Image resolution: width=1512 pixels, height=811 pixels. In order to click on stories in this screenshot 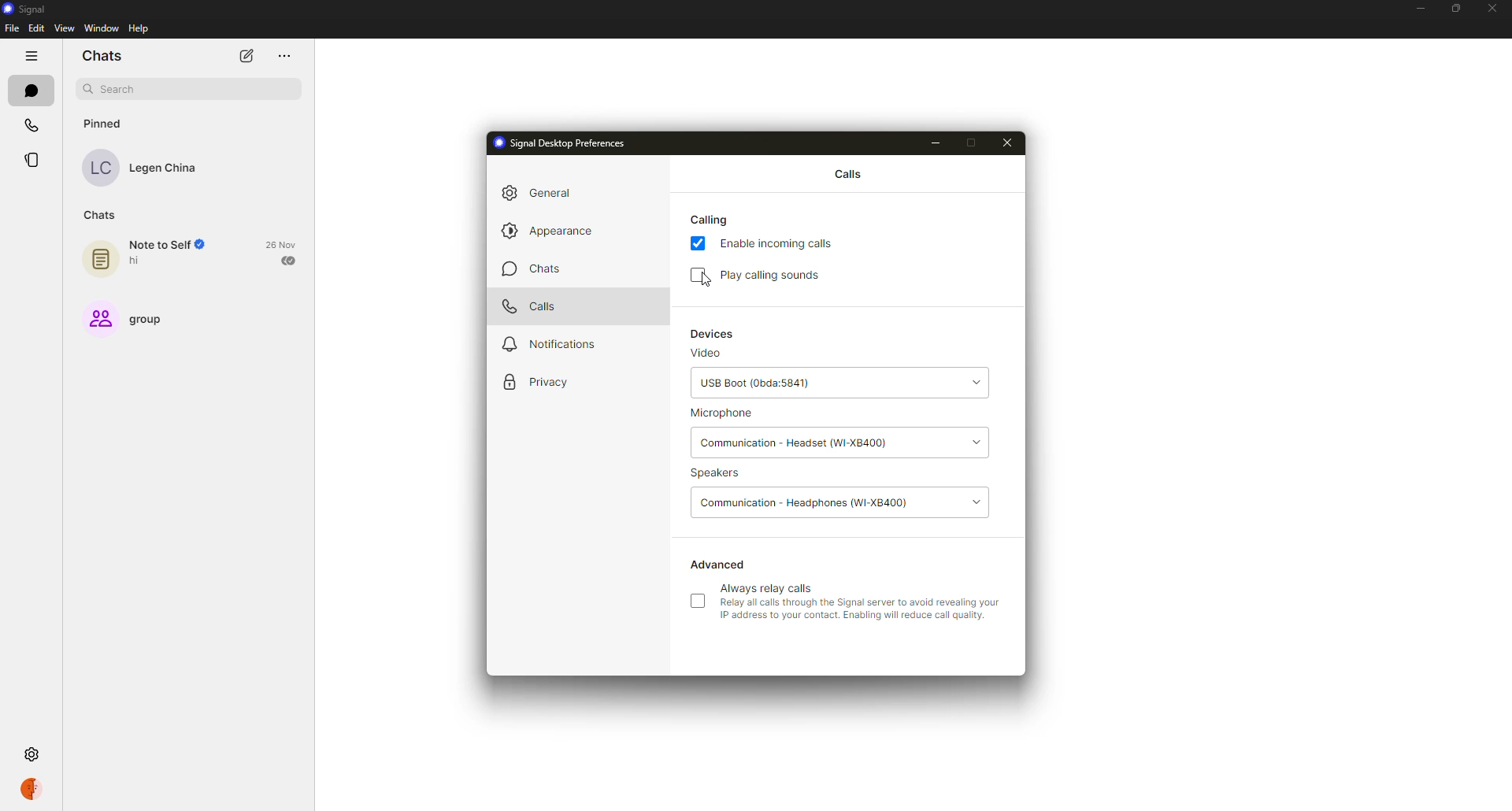, I will do `click(36, 160)`.